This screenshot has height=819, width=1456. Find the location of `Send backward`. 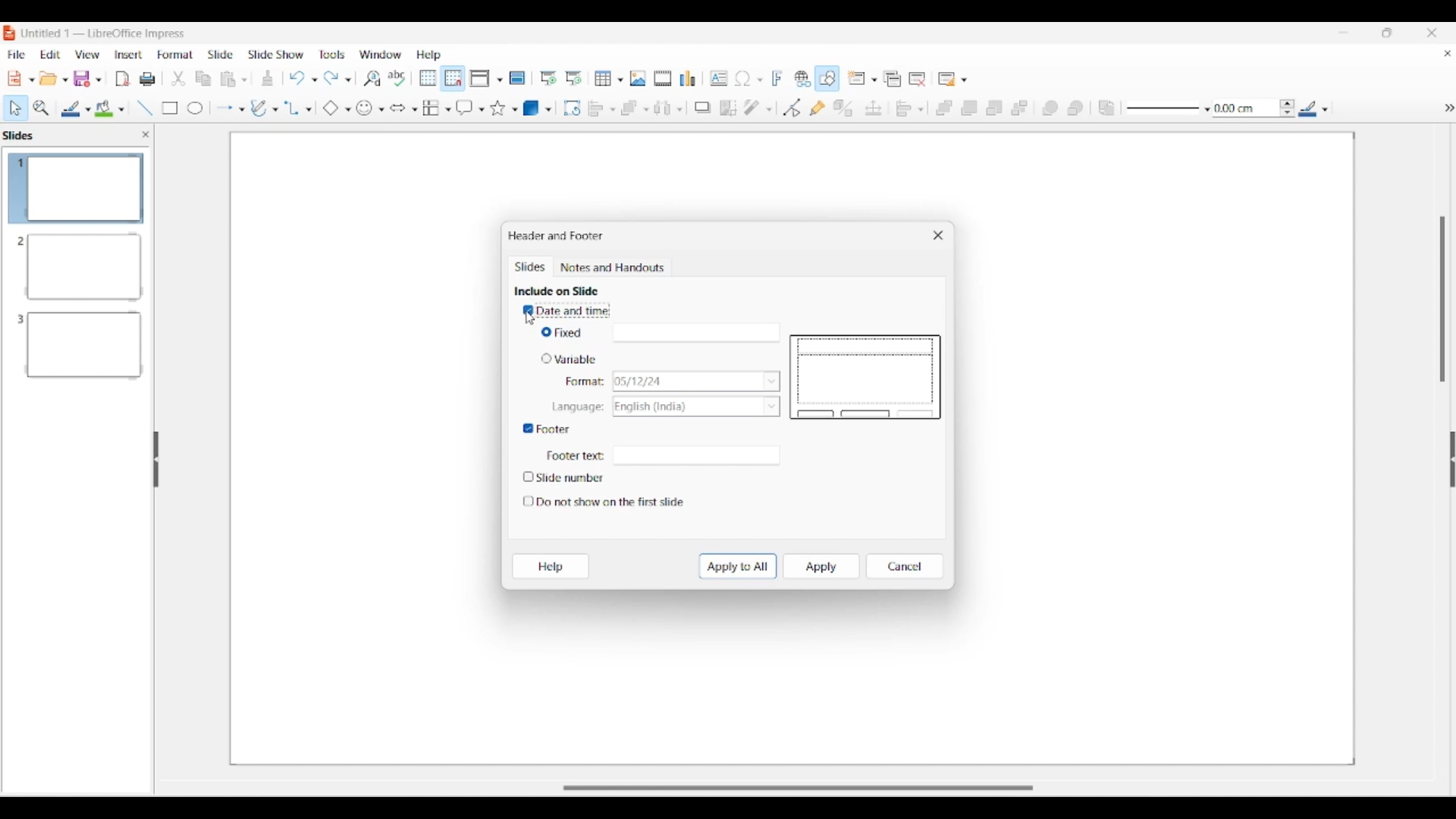

Send backward is located at coordinates (995, 108).